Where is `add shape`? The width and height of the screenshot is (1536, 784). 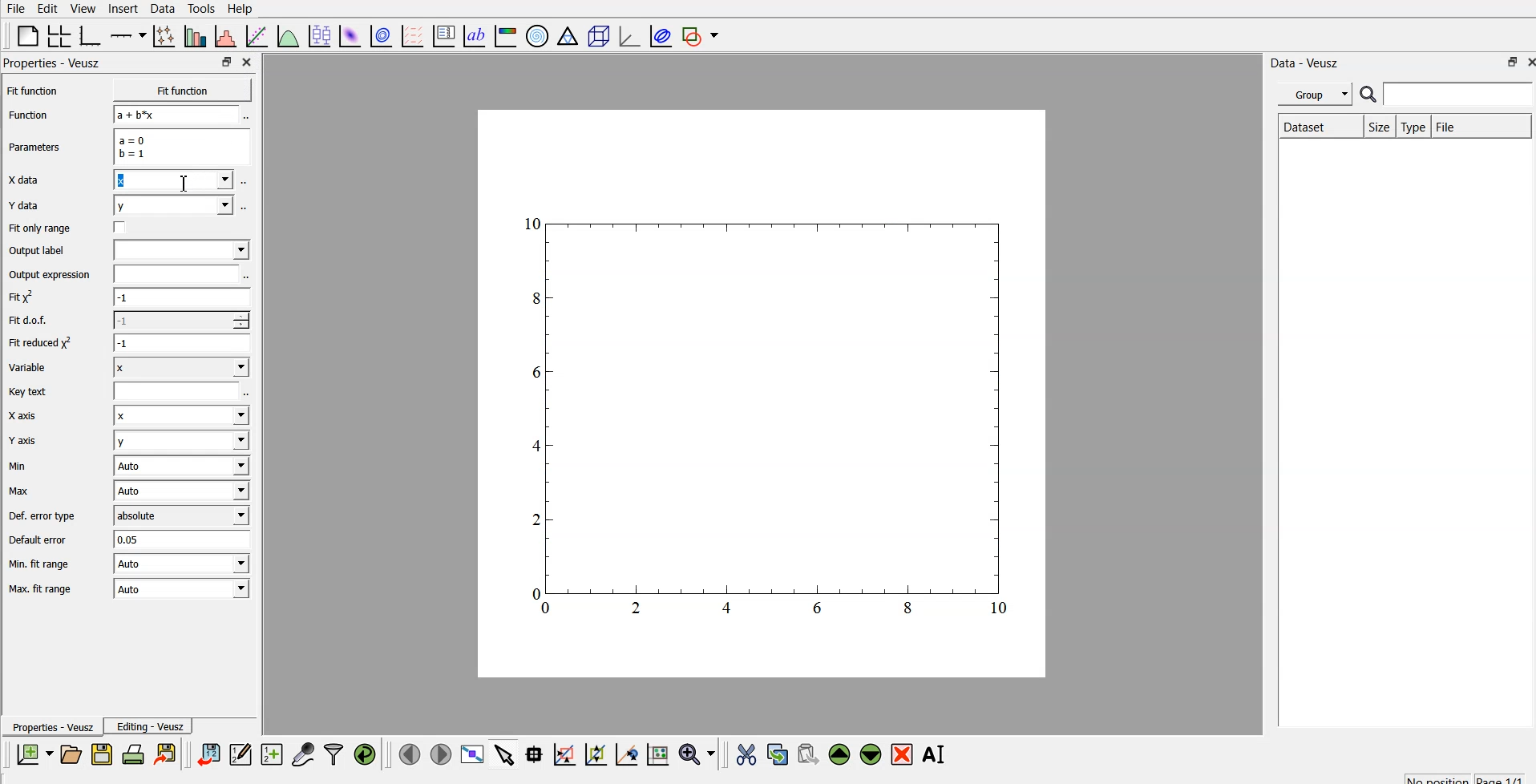 add shape is located at coordinates (705, 36).